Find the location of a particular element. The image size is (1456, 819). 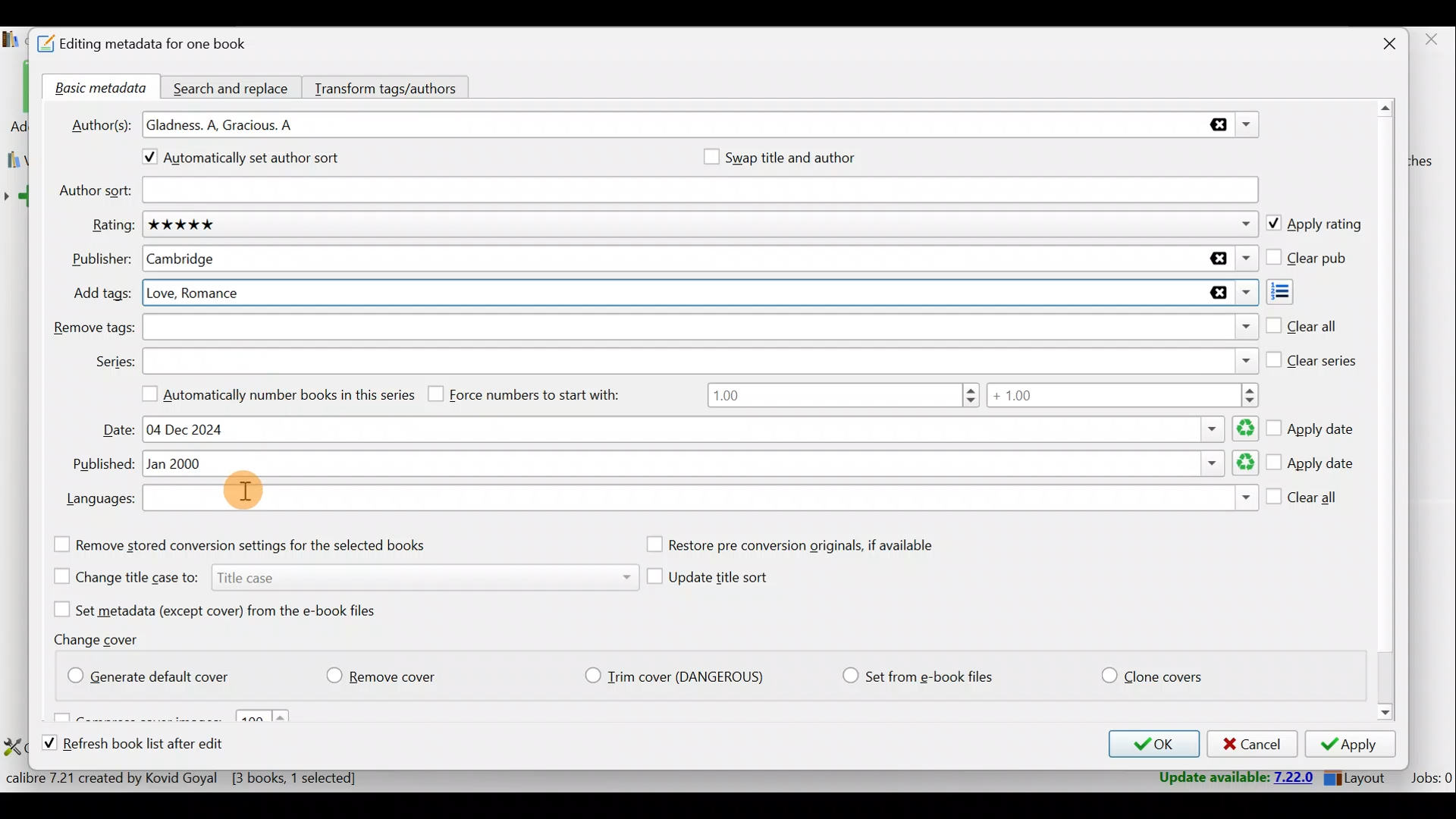

Apply date is located at coordinates (1311, 464).